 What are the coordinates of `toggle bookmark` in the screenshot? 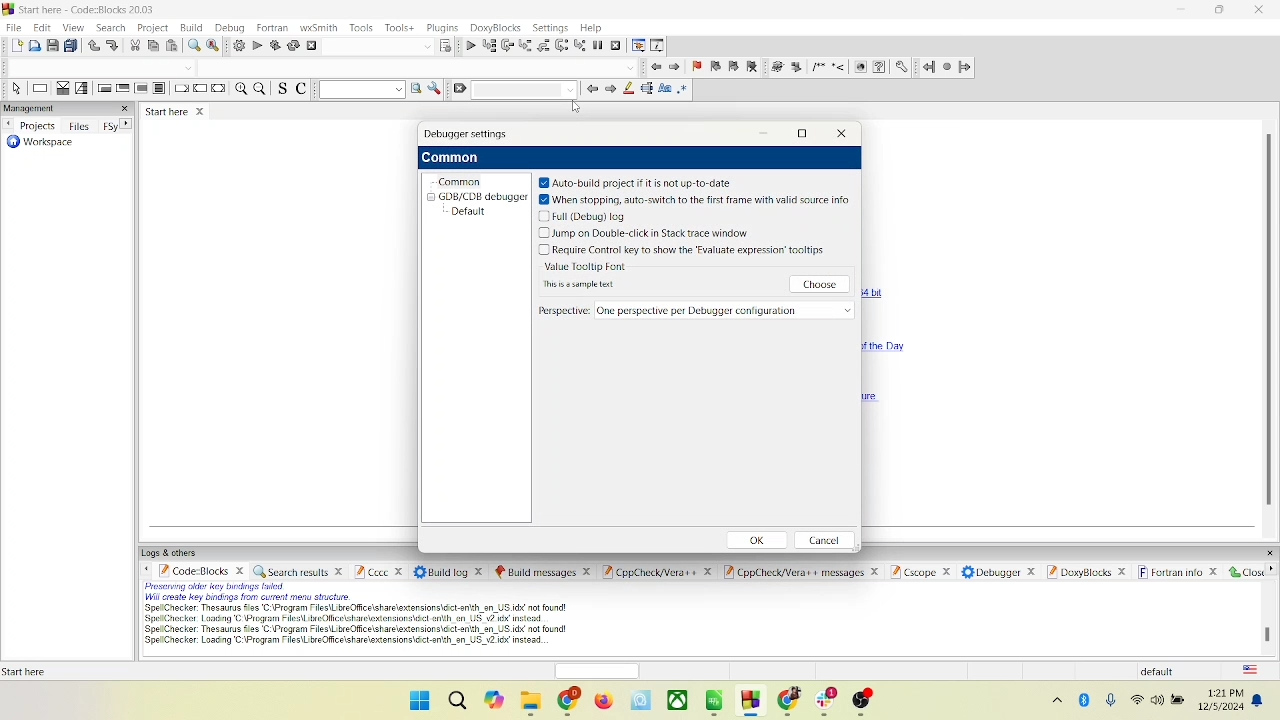 It's located at (697, 65).